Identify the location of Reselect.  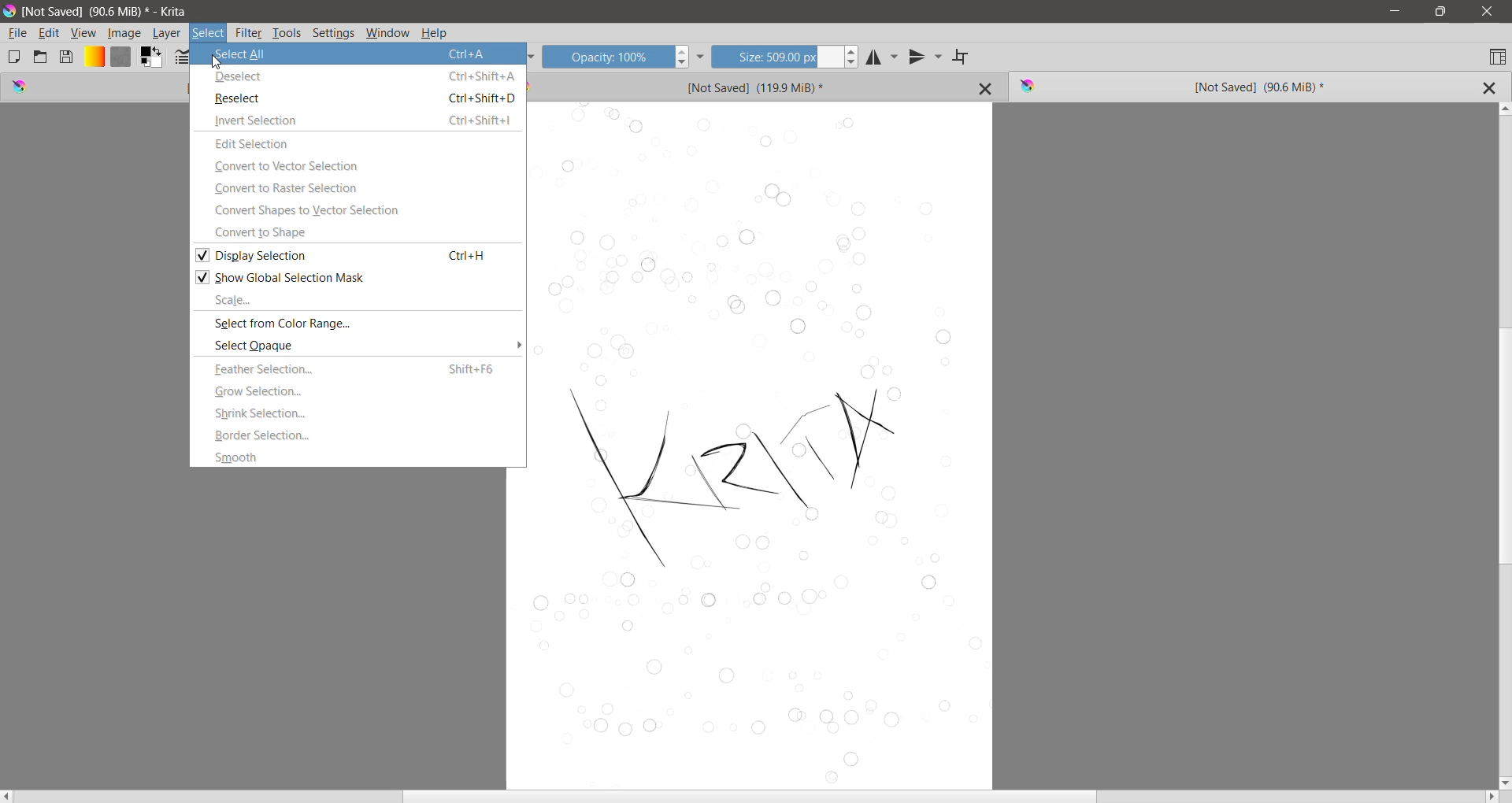
(358, 98).